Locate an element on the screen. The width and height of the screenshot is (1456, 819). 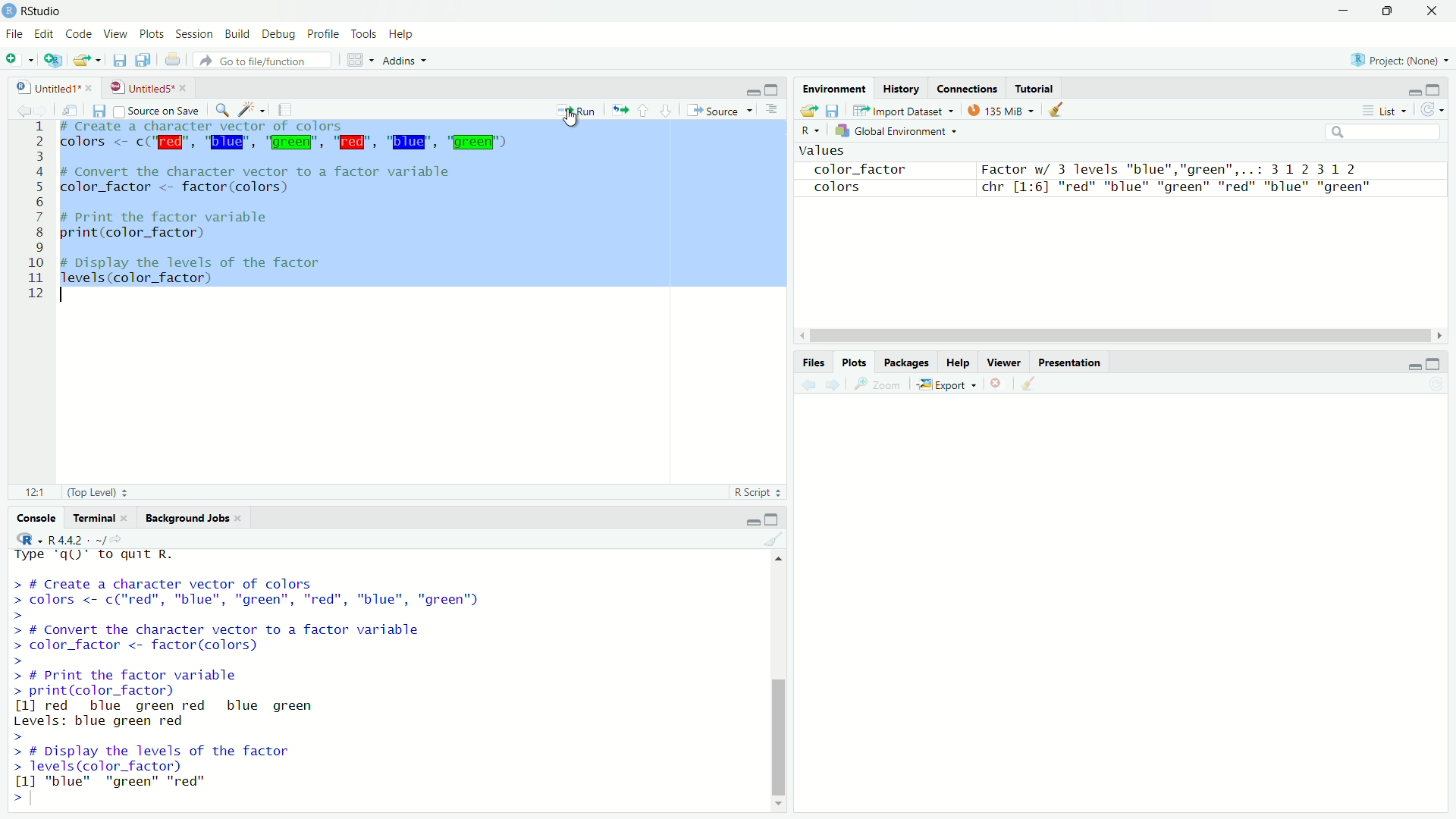
prompt cursor is located at coordinates (12, 802).